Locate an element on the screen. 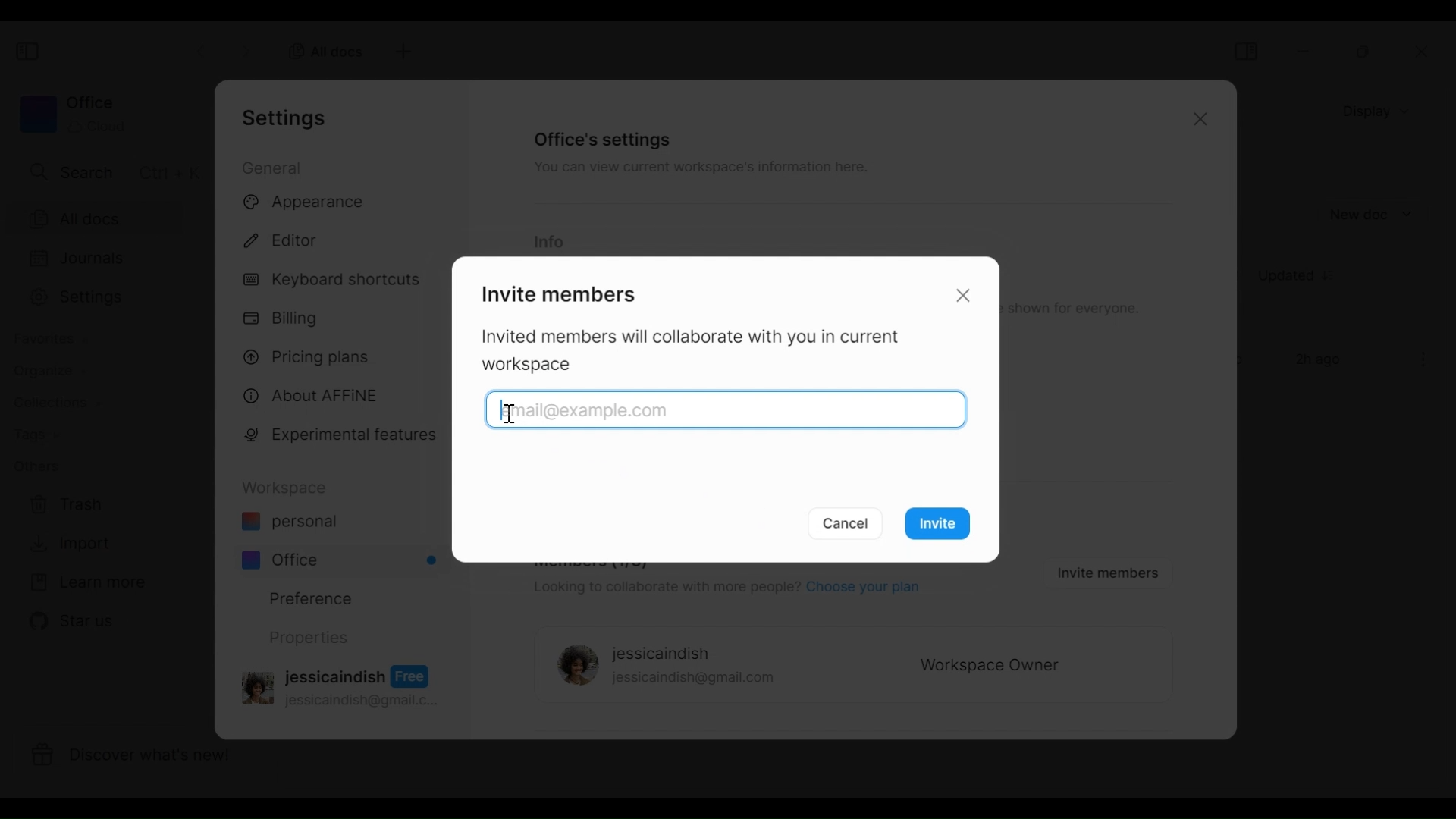  Go Forward is located at coordinates (246, 49).